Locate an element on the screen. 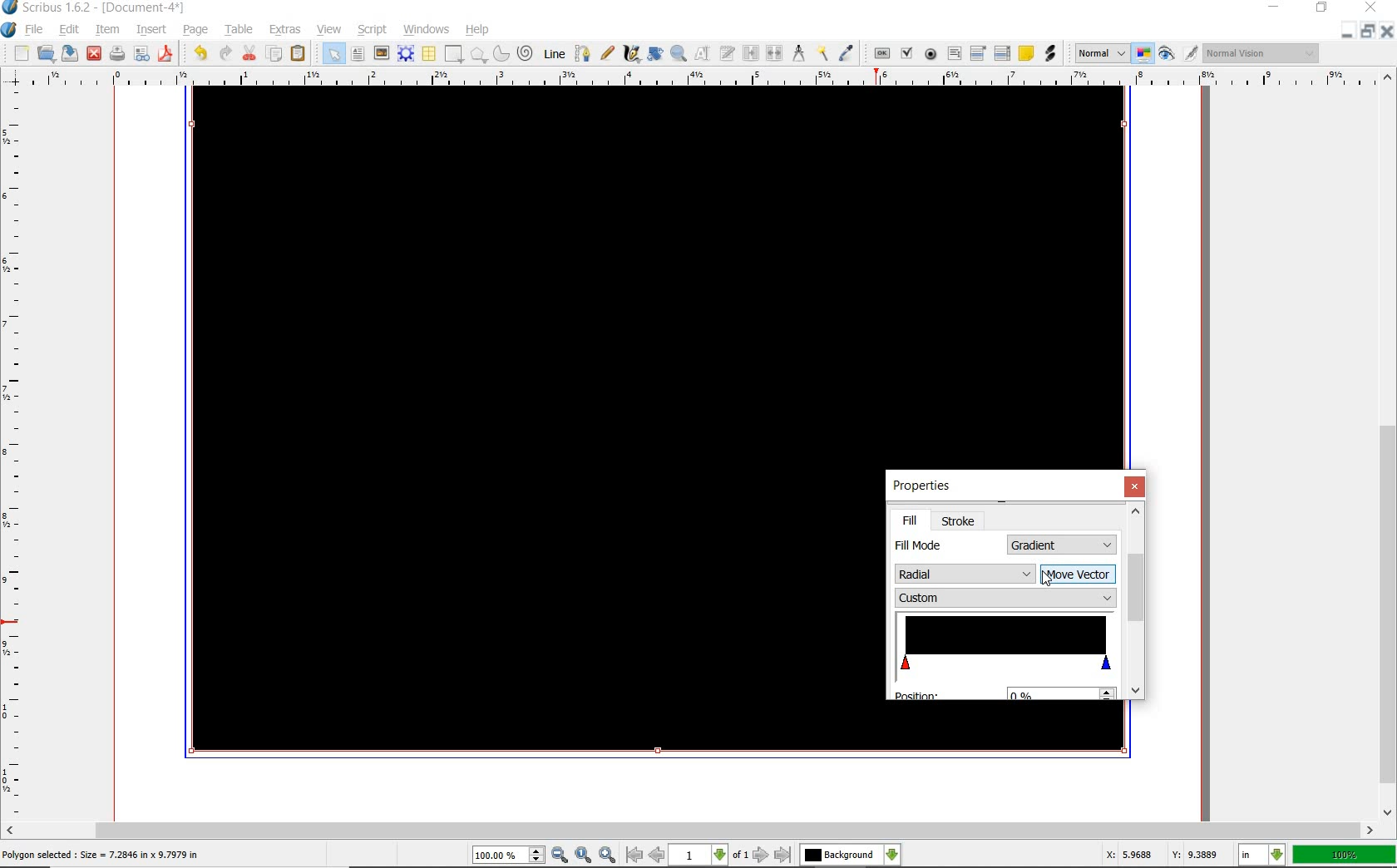  save is located at coordinates (71, 54).